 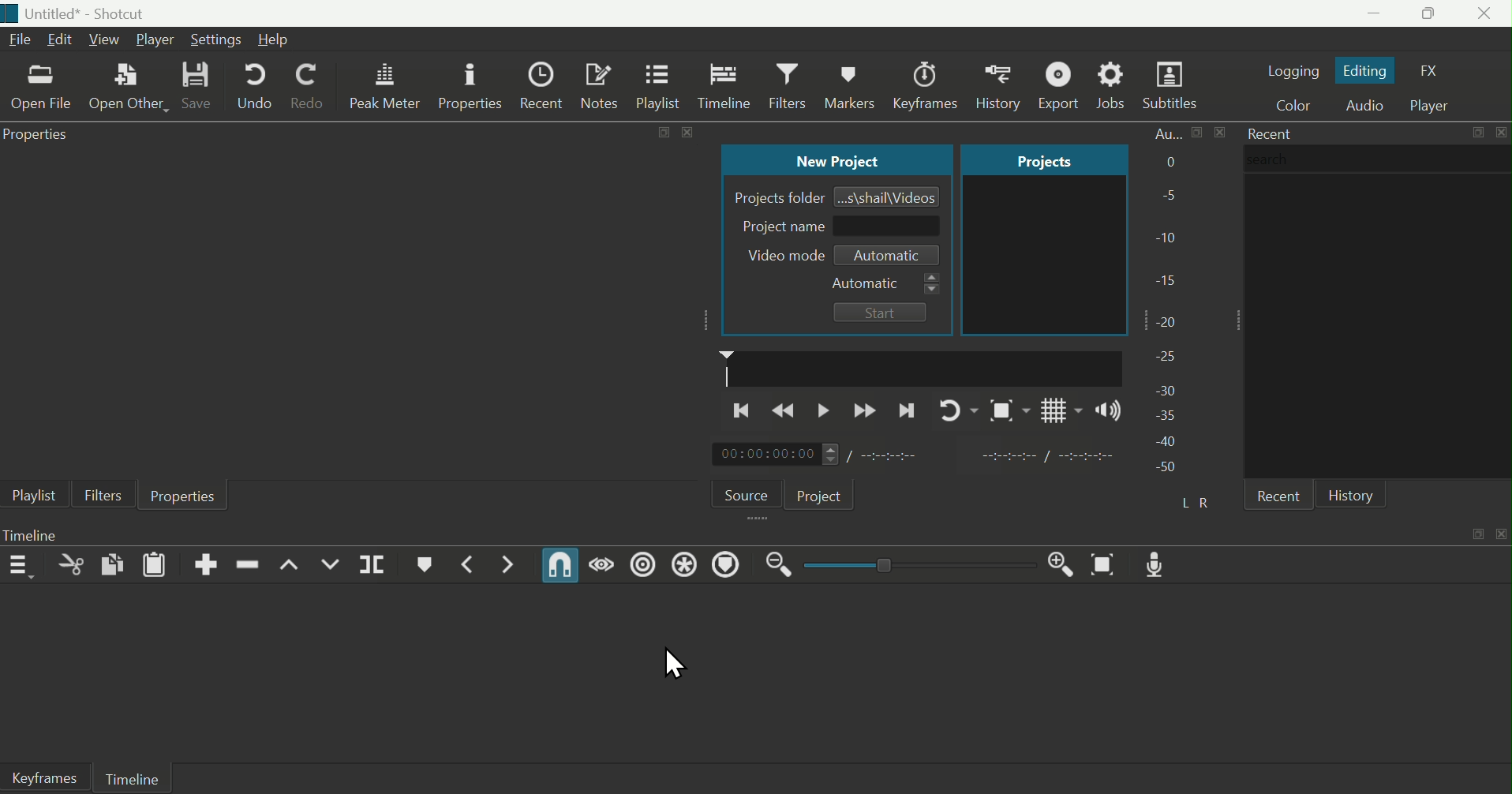 I want to click on Minimize, so click(x=1358, y=14).